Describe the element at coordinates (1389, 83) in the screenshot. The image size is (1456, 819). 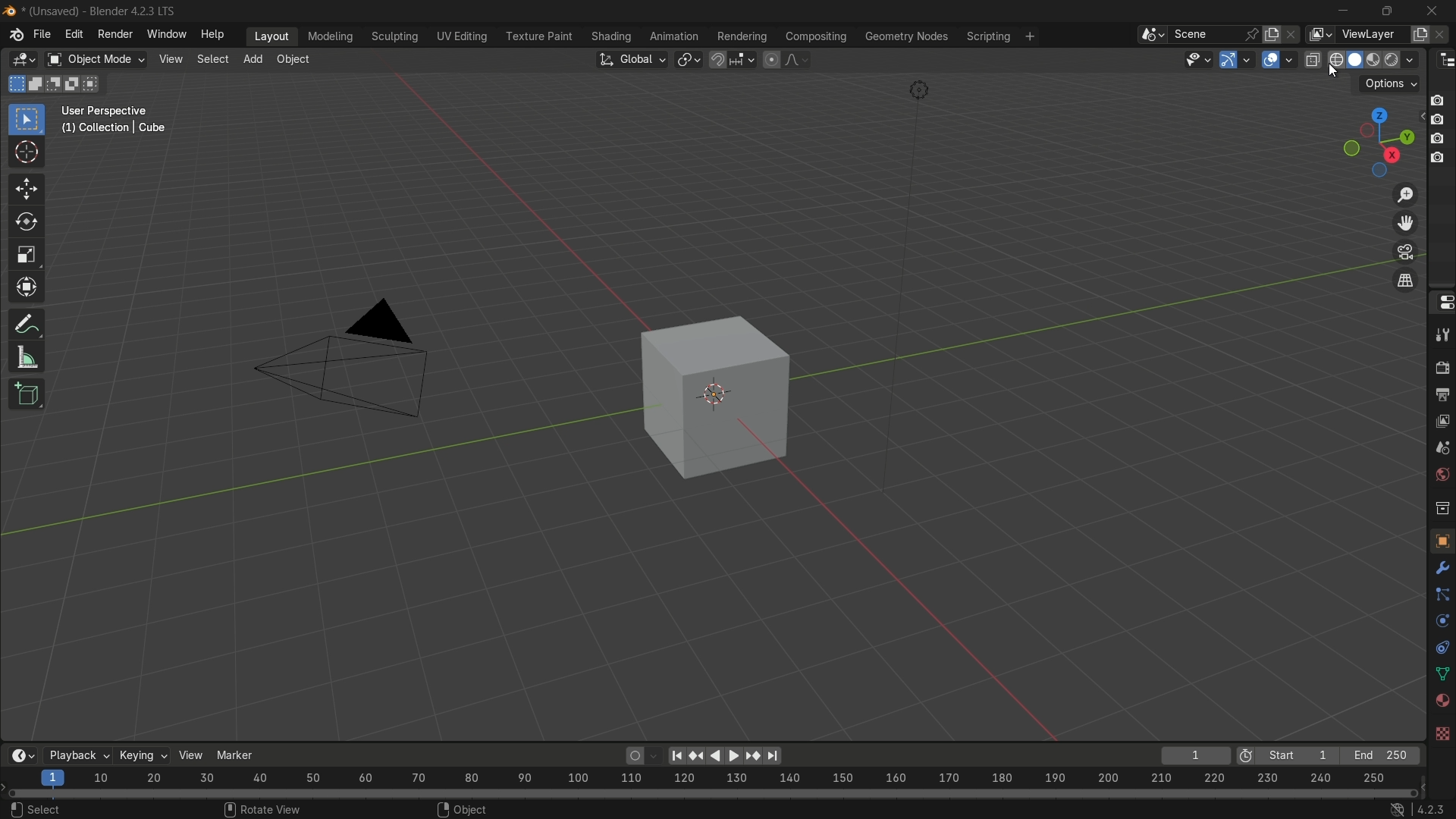
I see `options menu` at that location.